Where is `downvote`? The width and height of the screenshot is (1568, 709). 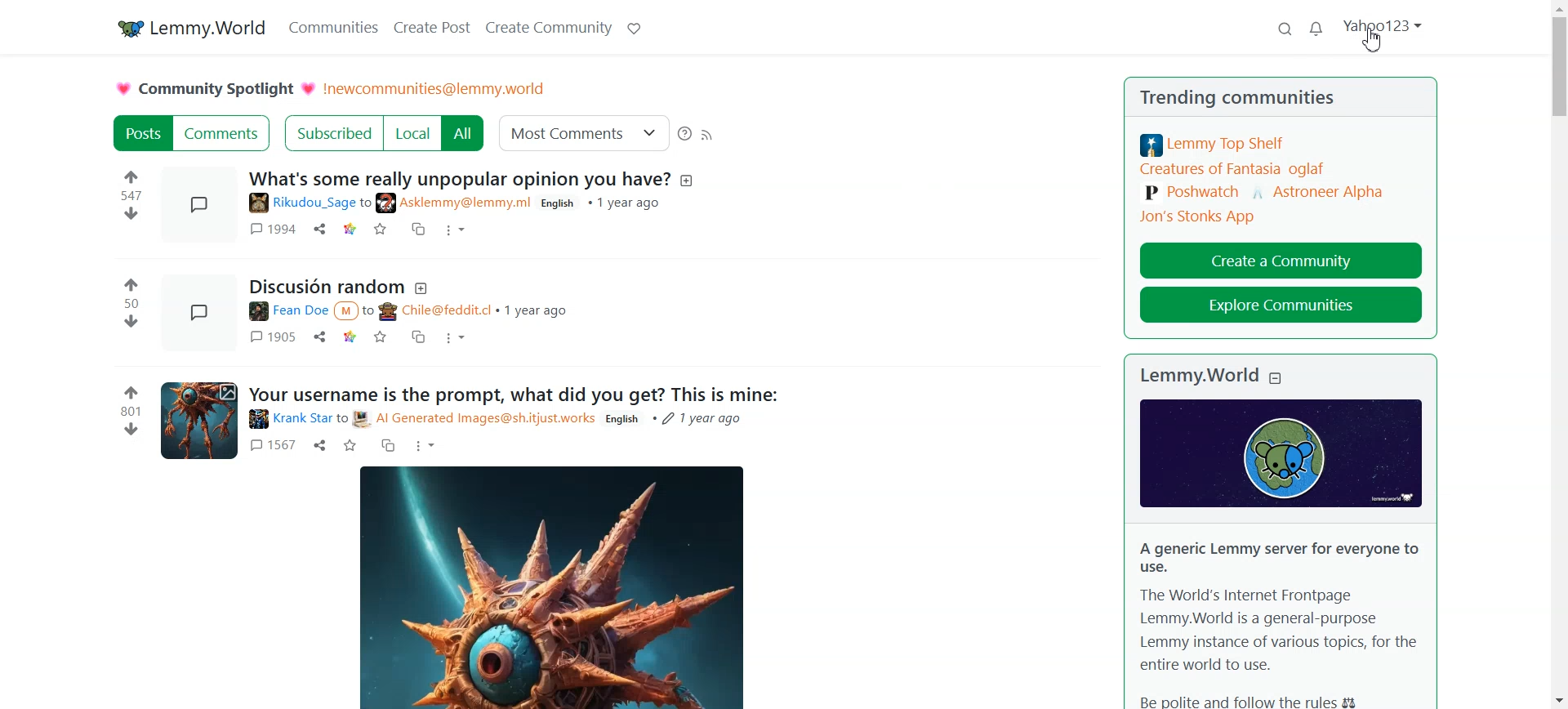
downvote is located at coordinates (132, 322).